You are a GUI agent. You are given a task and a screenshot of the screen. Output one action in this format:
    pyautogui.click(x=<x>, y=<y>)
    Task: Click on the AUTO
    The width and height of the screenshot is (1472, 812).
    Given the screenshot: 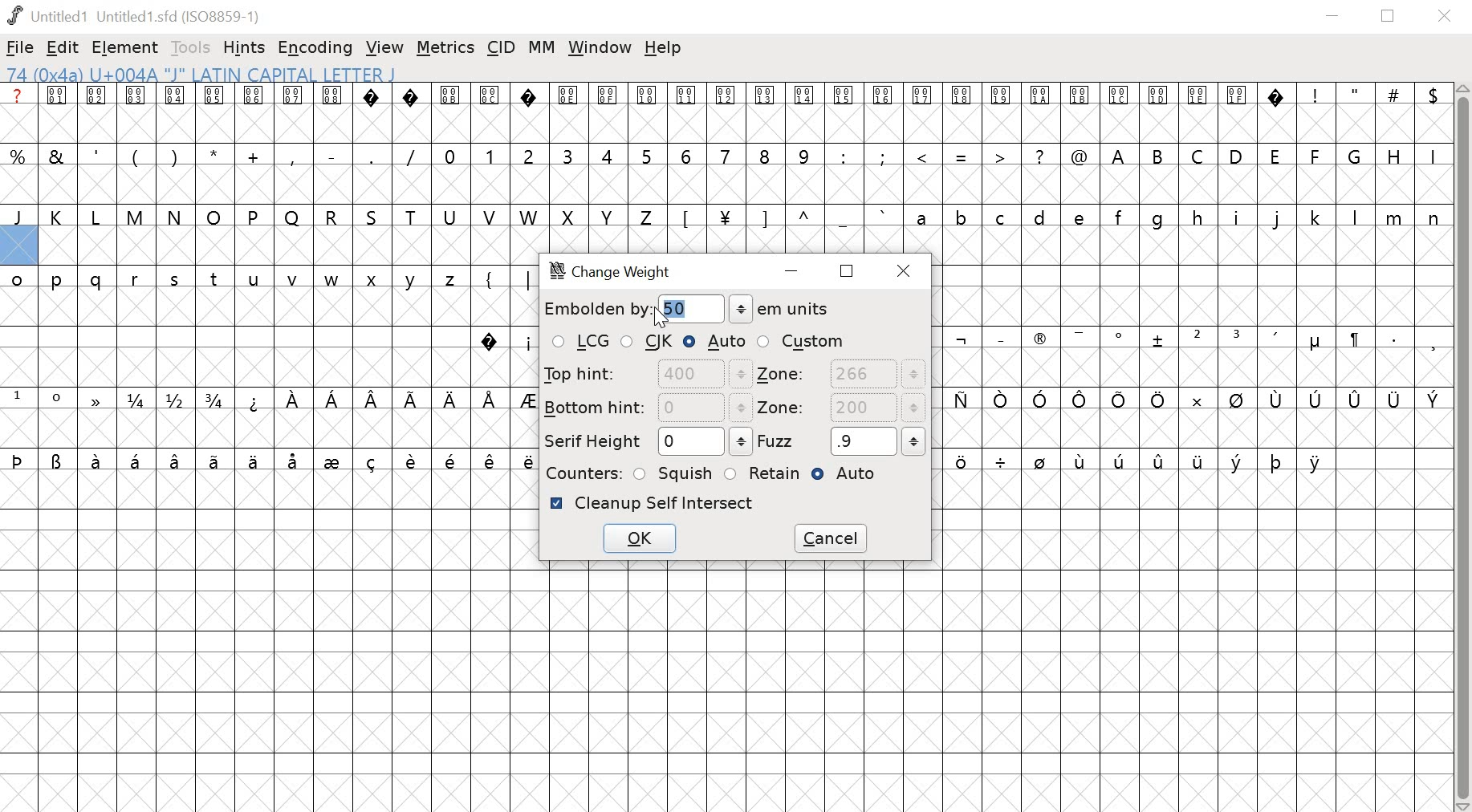 What is the action you would take?
    pyautogui.click(x=850, y=476)
    